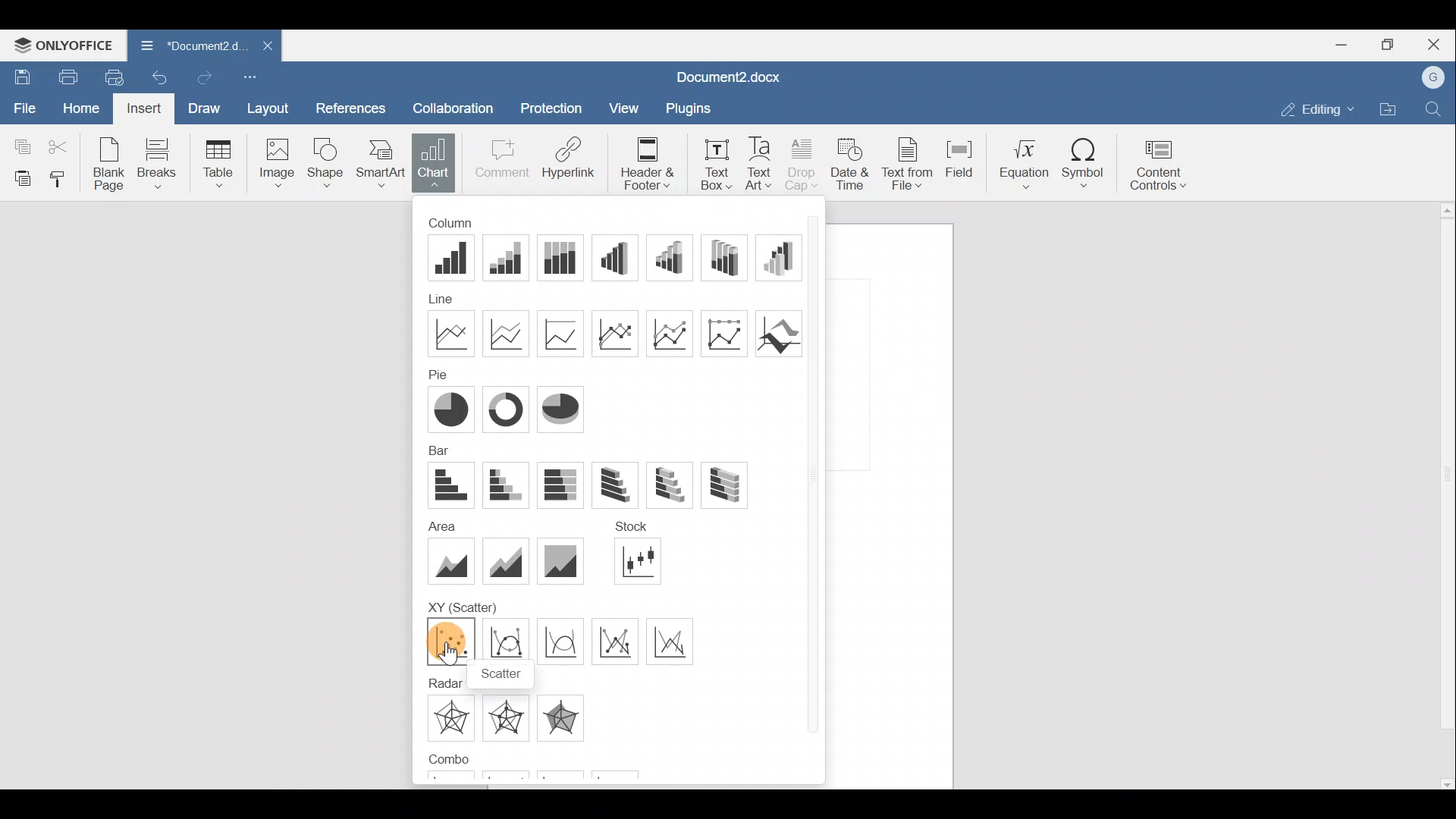 Image resolution: width=1456 pixels, height=819 pixels. What do you see at coordinates (647, 563) in the screenshot?
I see `Stock` at bounding box center [647, 563].